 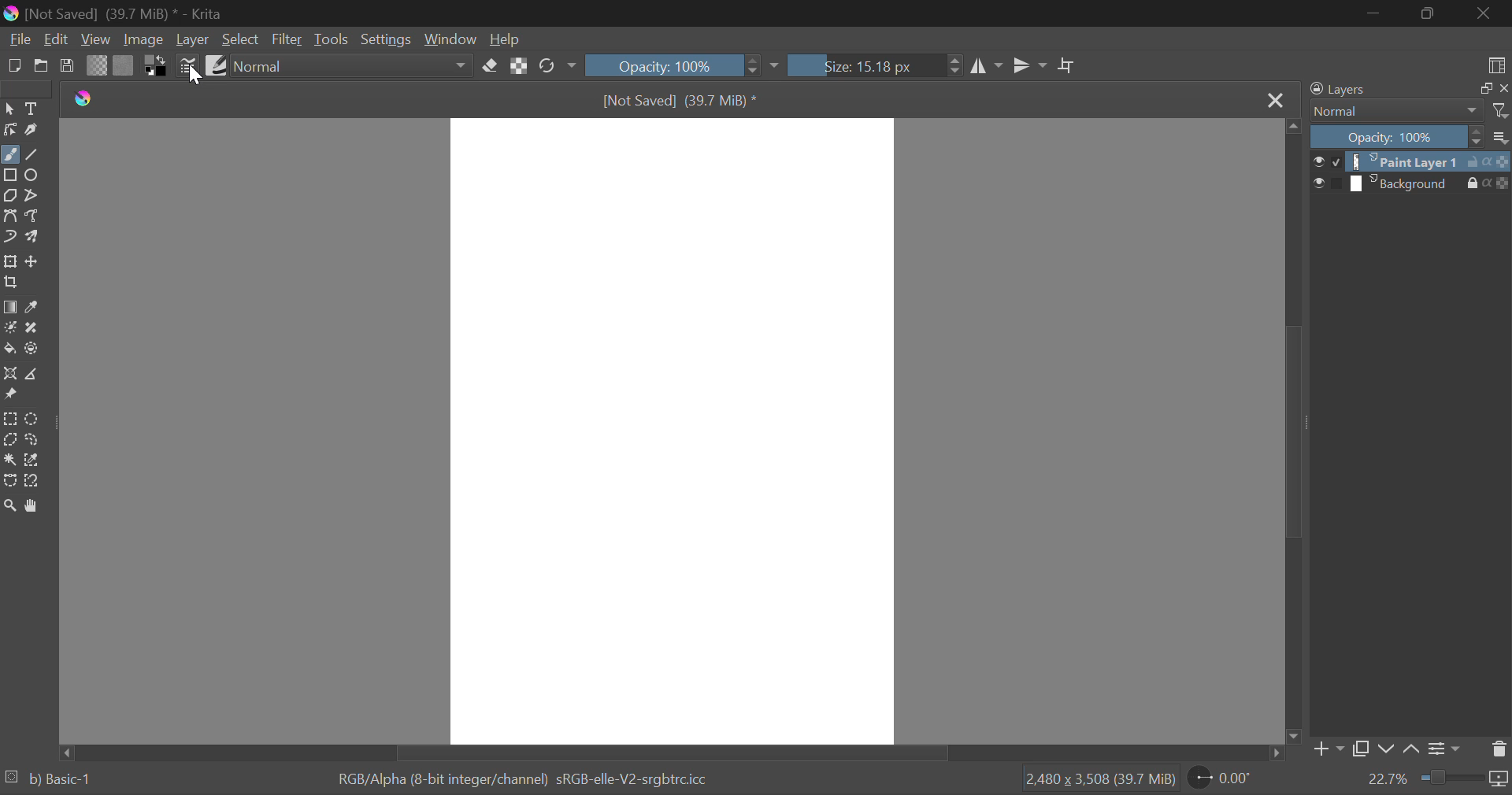 What do you see at coordinates (521, 780) in the screenshot?
I see `RGB/Alpha (8-bit integer/channel) sRGB-elle-V2-srgbtrcicc` at bounding box center [521, 780].